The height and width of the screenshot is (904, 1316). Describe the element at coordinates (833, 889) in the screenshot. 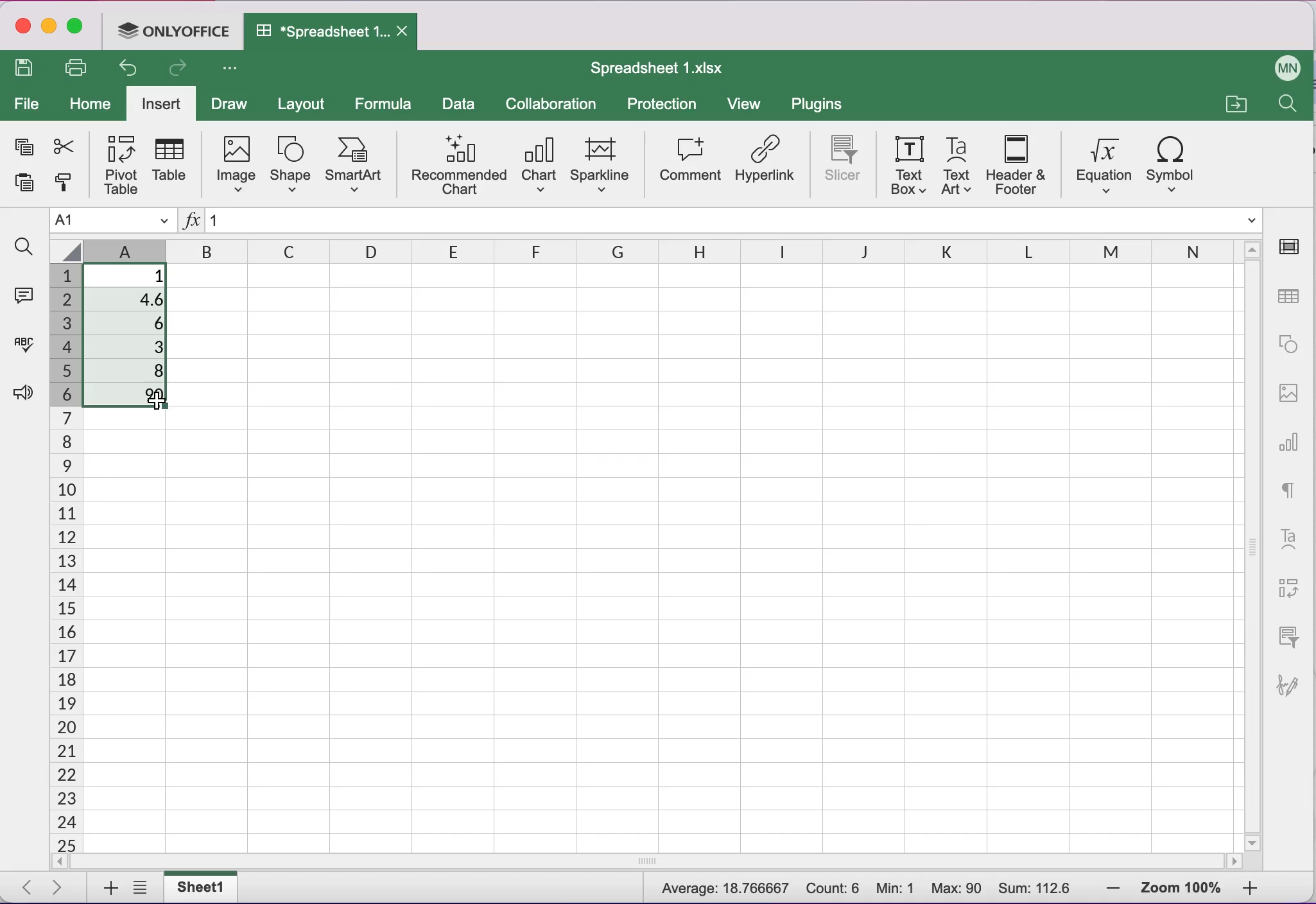

I see `Count: 6` at that location.